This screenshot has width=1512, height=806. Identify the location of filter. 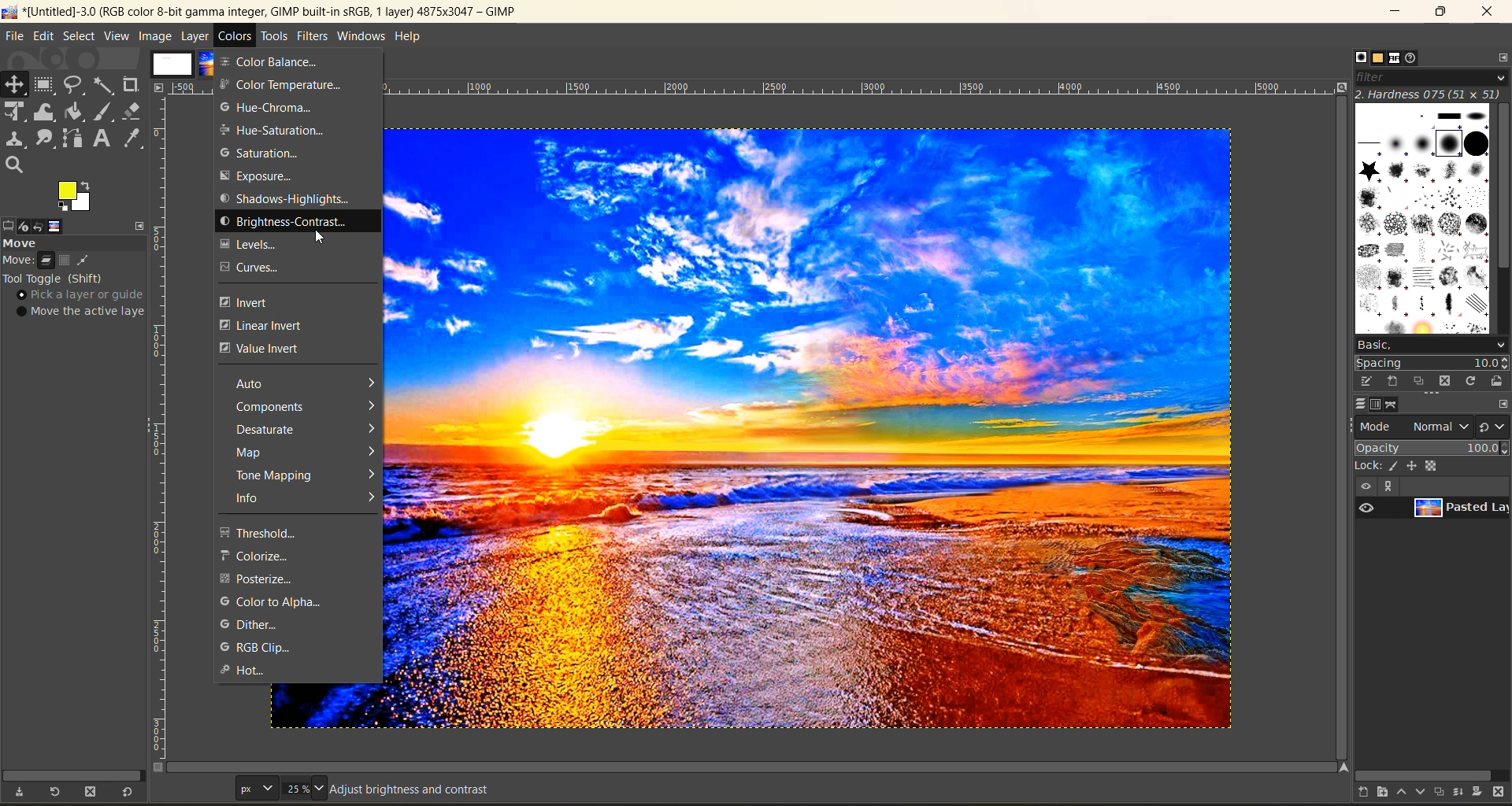
(1432, 77).